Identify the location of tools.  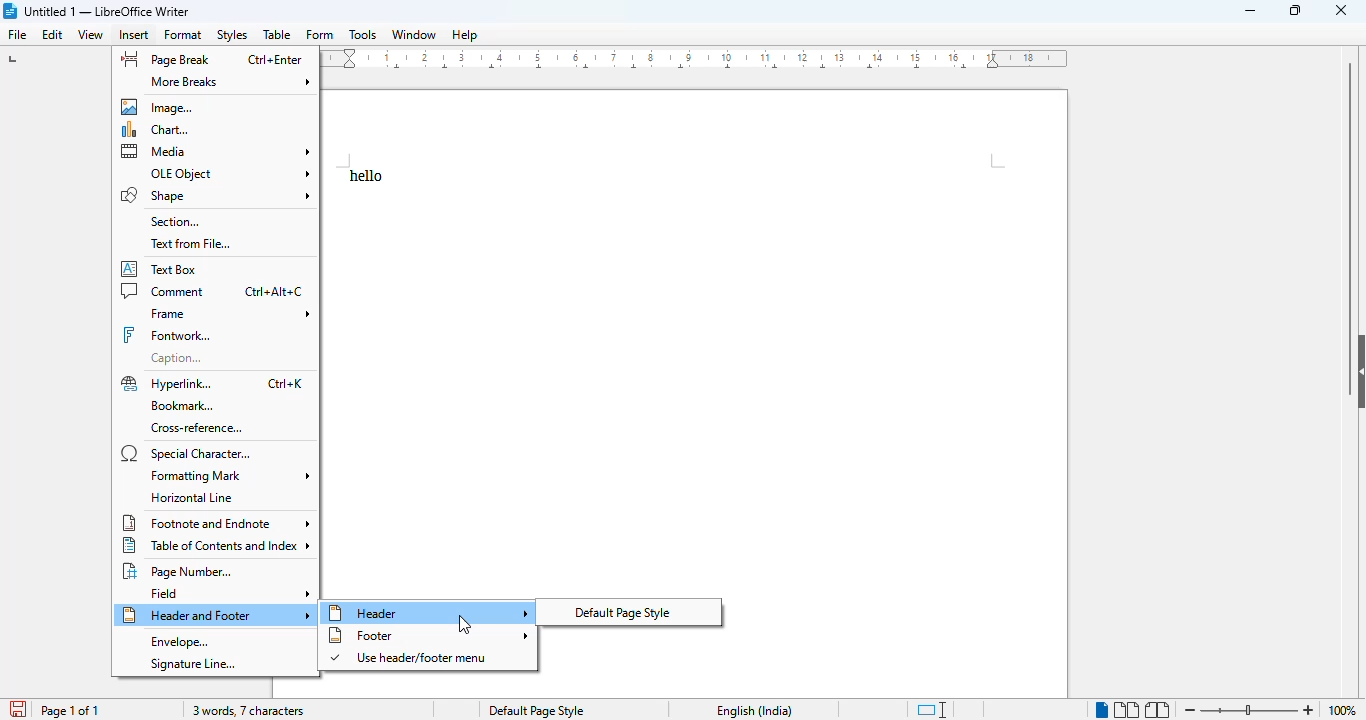
(362, 34).